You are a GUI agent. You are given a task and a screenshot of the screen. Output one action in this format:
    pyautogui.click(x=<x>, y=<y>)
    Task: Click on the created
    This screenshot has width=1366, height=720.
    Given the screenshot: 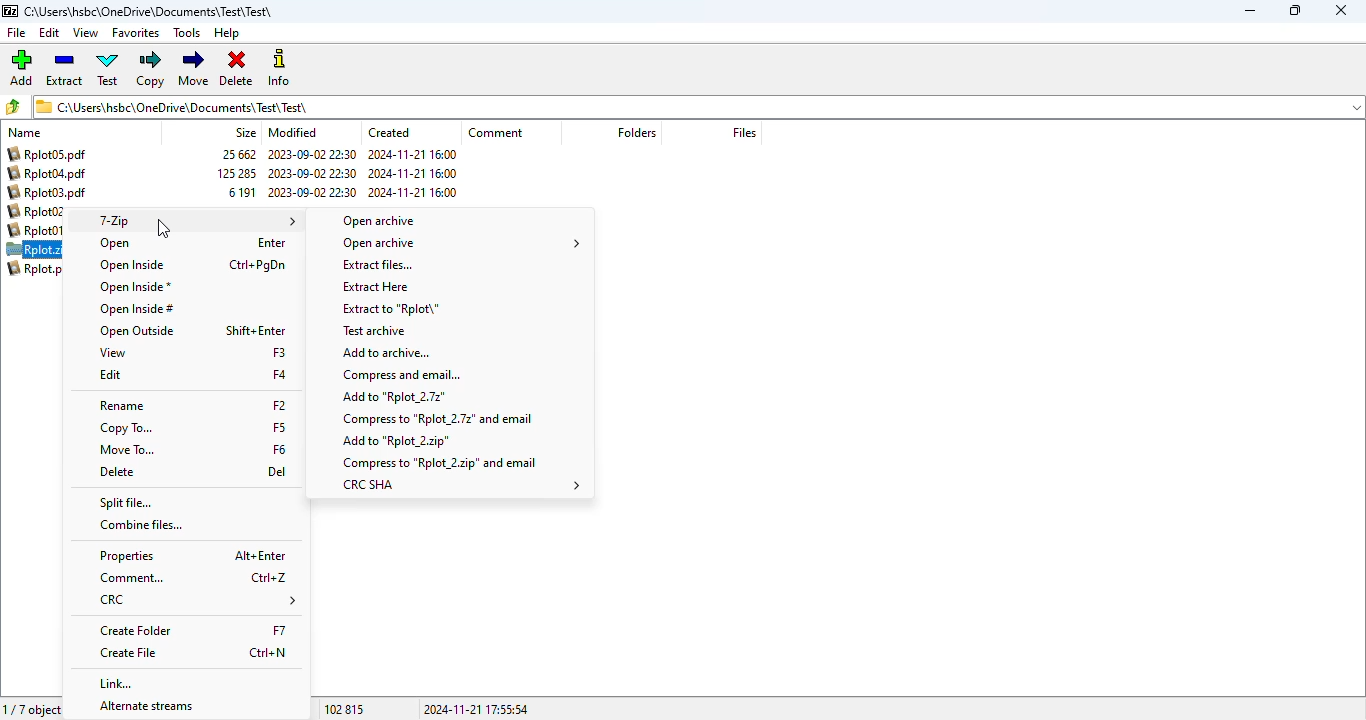 What is the action you would take?
    pyautogui.click(x=389, y=132)
    